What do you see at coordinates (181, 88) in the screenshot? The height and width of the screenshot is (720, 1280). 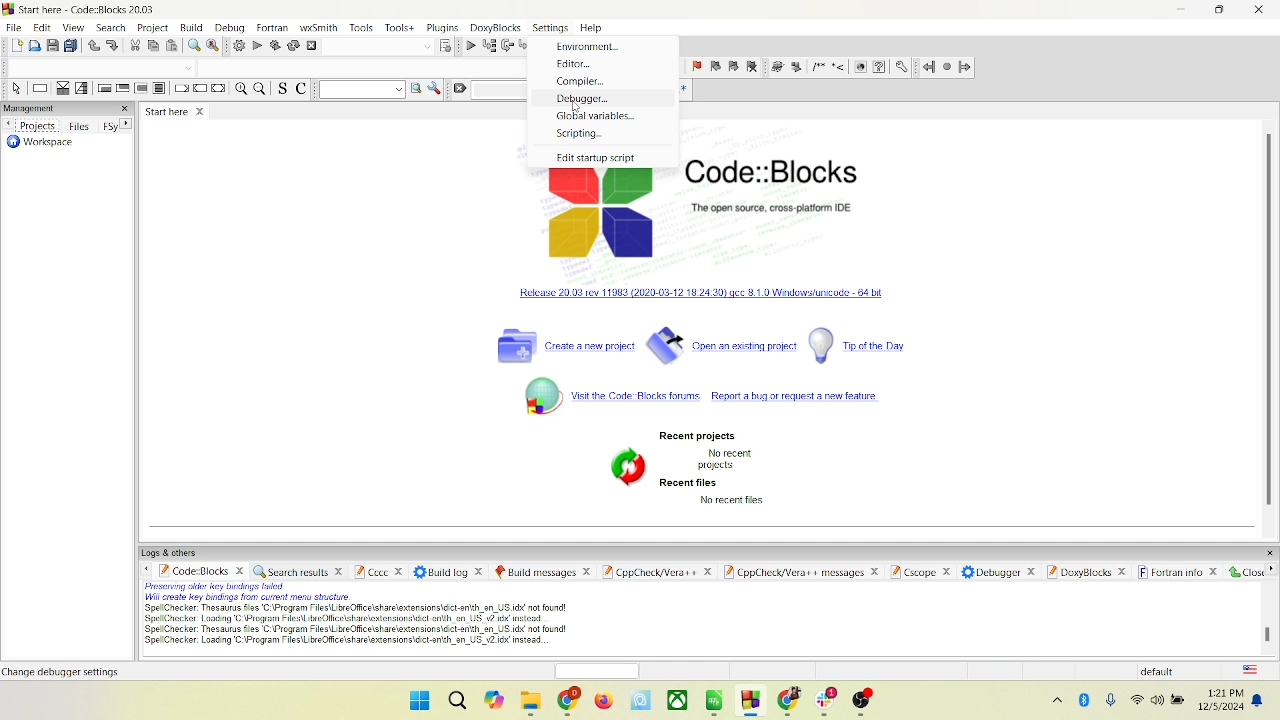 I see `break instruction` at bounding box center [181, 88].